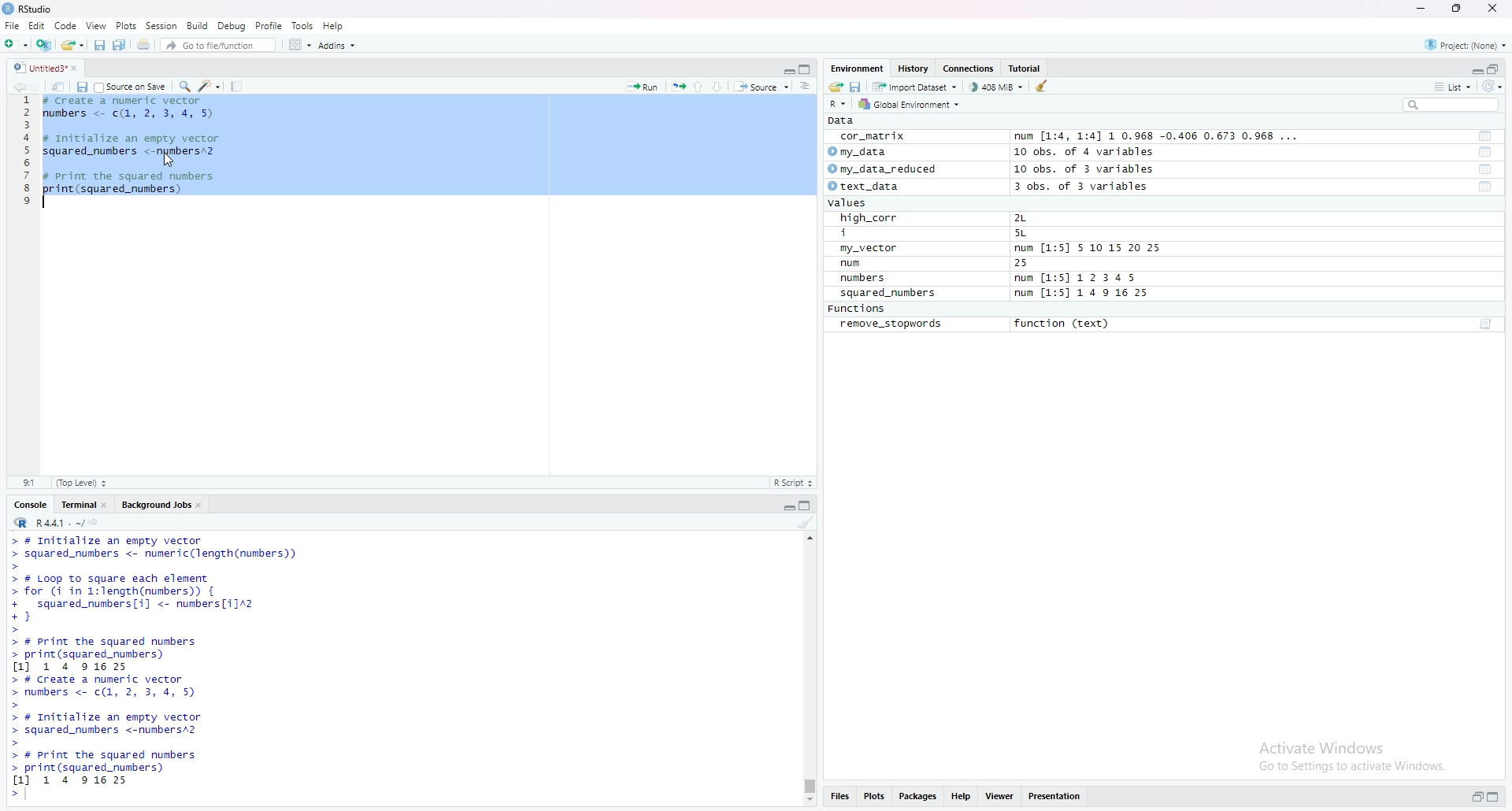  What do you see at coordinates (871, 137) in the screenshot?
I see `cor_matrix` at bounding box center [871, 137].